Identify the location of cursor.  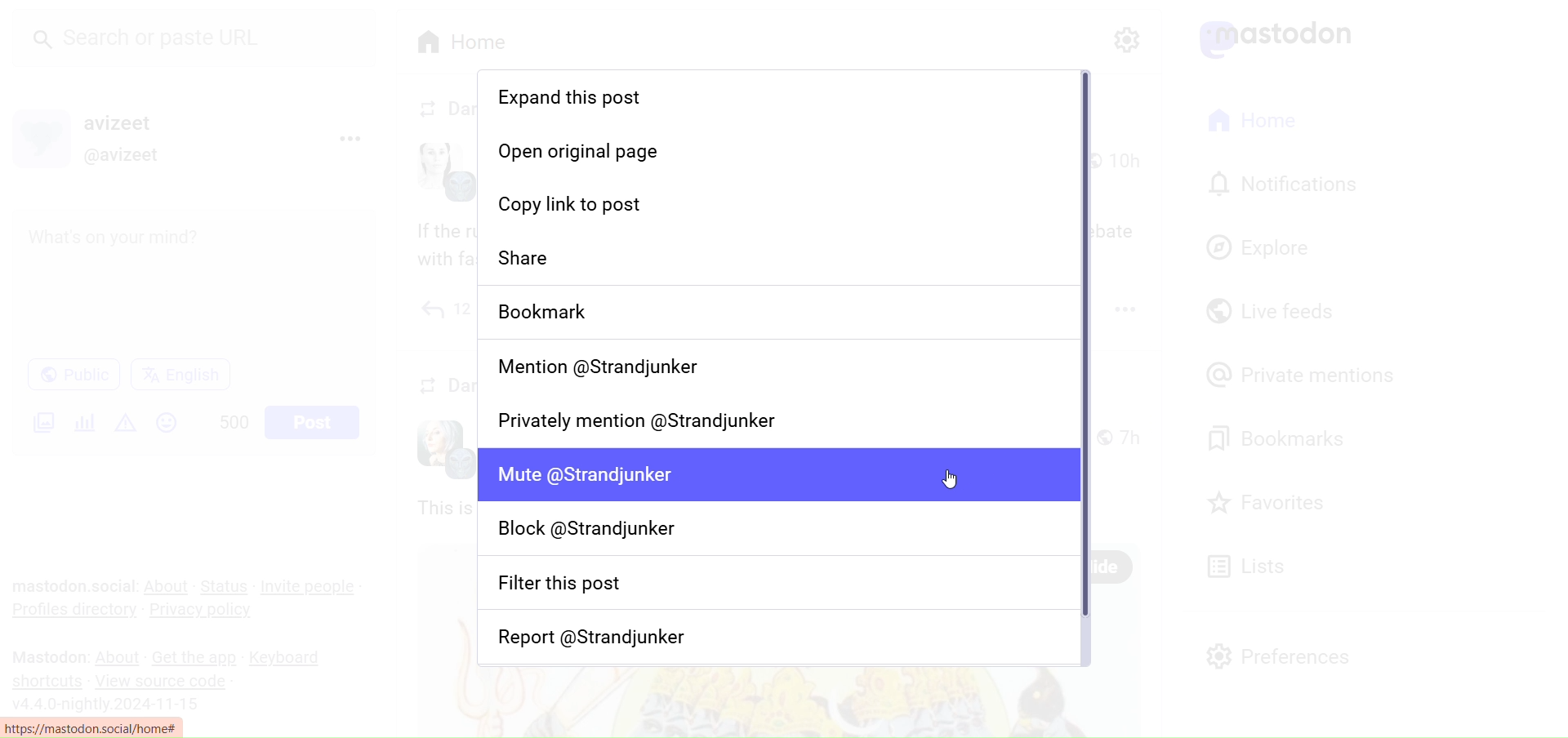
(950, 484).